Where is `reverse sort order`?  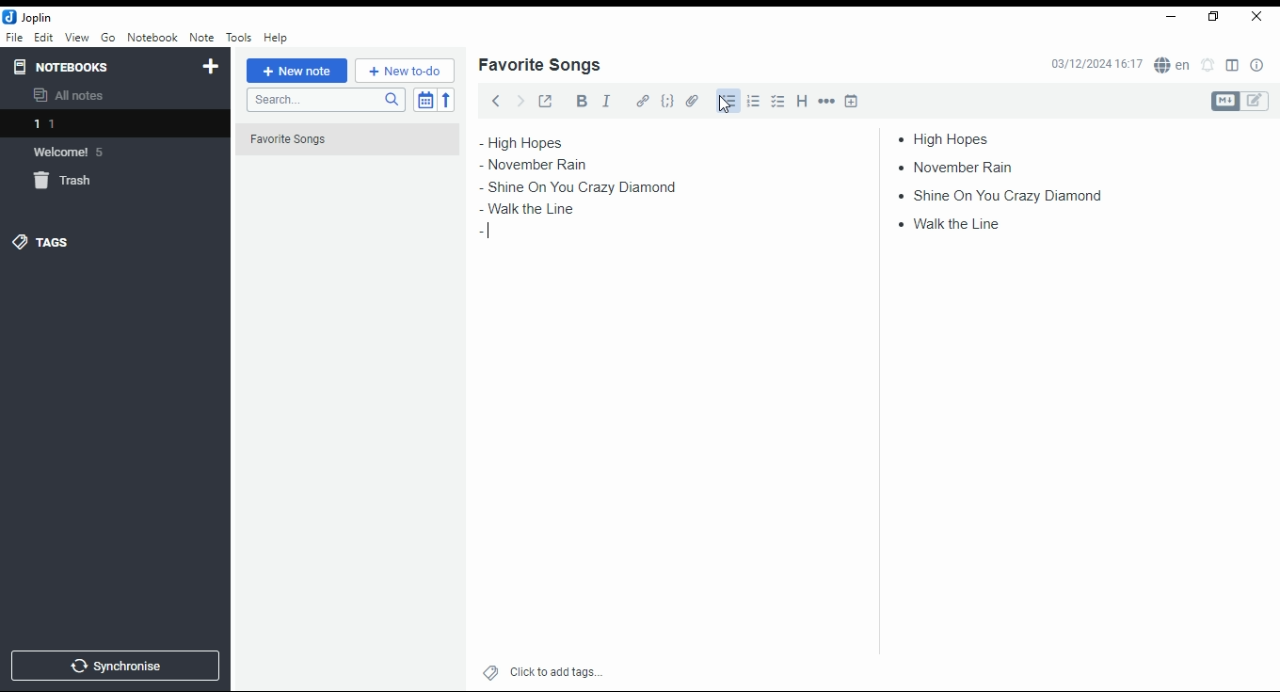
reverse sort order is located at coordinates (446, 100).